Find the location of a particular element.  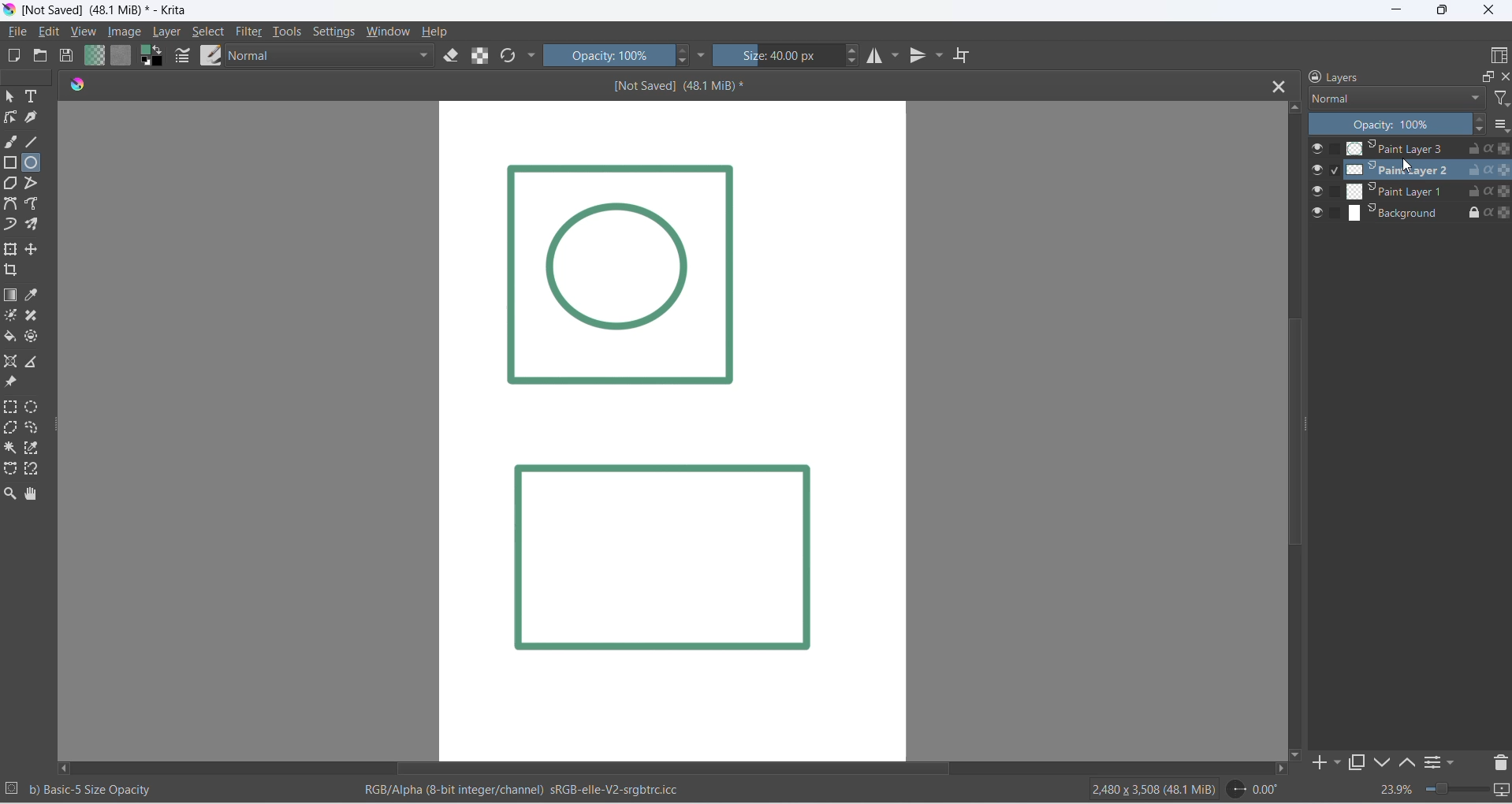

paint layer 1 is located at coordinates (1395, 169).